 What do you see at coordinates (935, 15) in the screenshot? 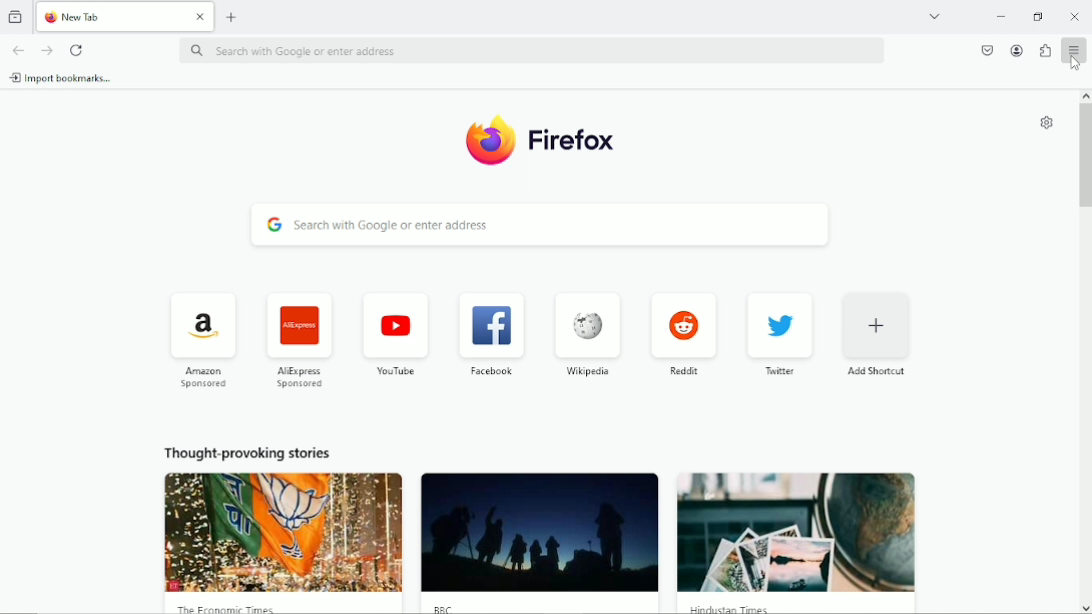
I see `List all tabs` at bounding box center [935, 15].